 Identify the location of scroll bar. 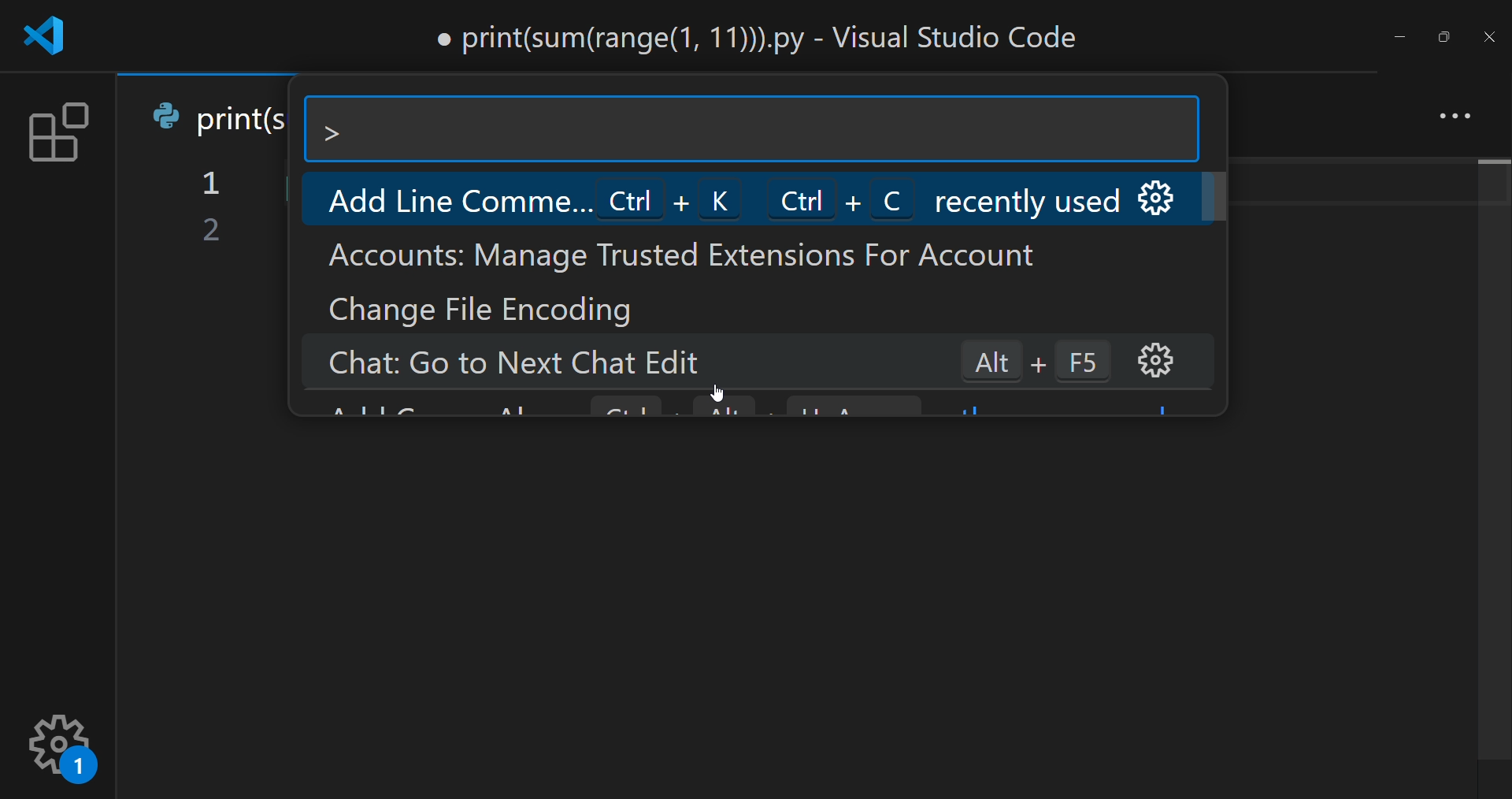
(1227, 199).